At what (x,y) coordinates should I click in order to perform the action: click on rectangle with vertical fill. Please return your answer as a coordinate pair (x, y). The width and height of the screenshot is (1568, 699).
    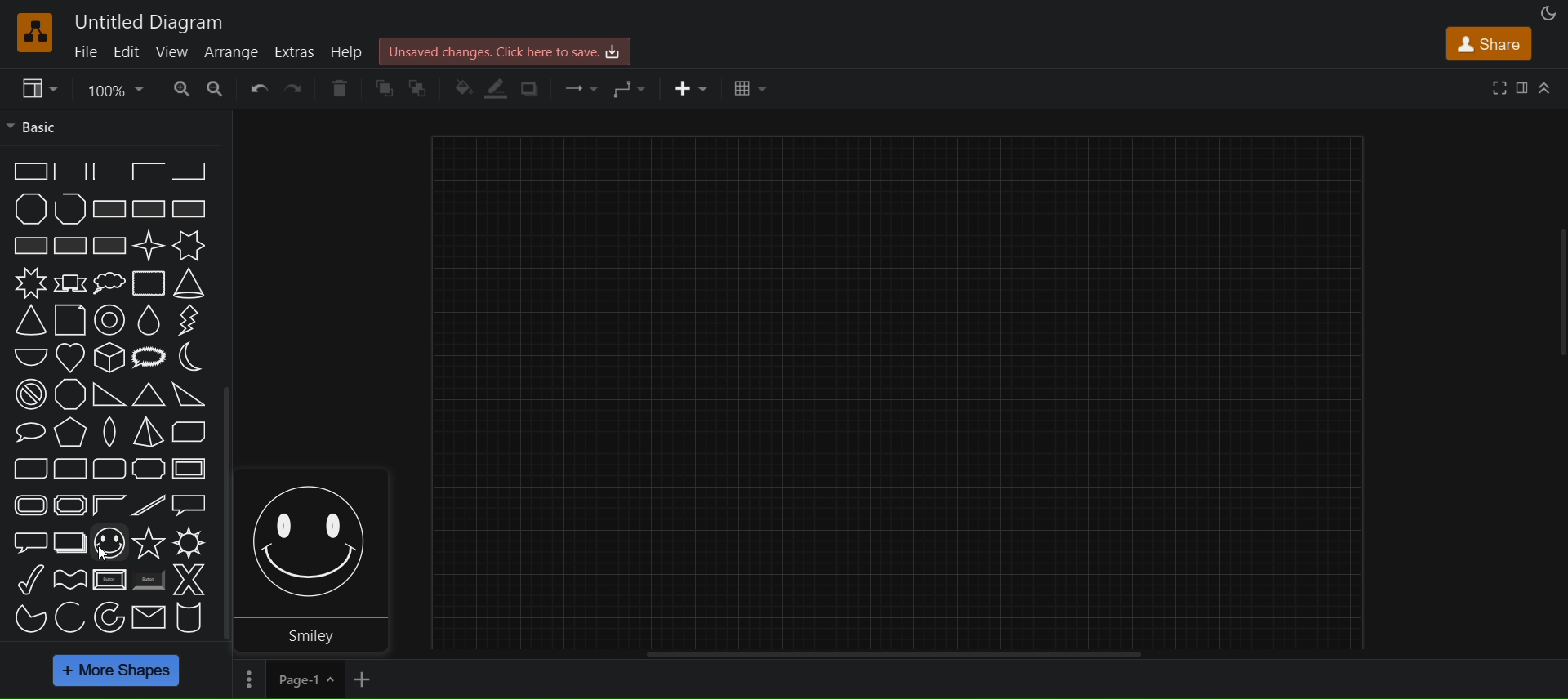
    Looking at the image, I should click on (29, 245).